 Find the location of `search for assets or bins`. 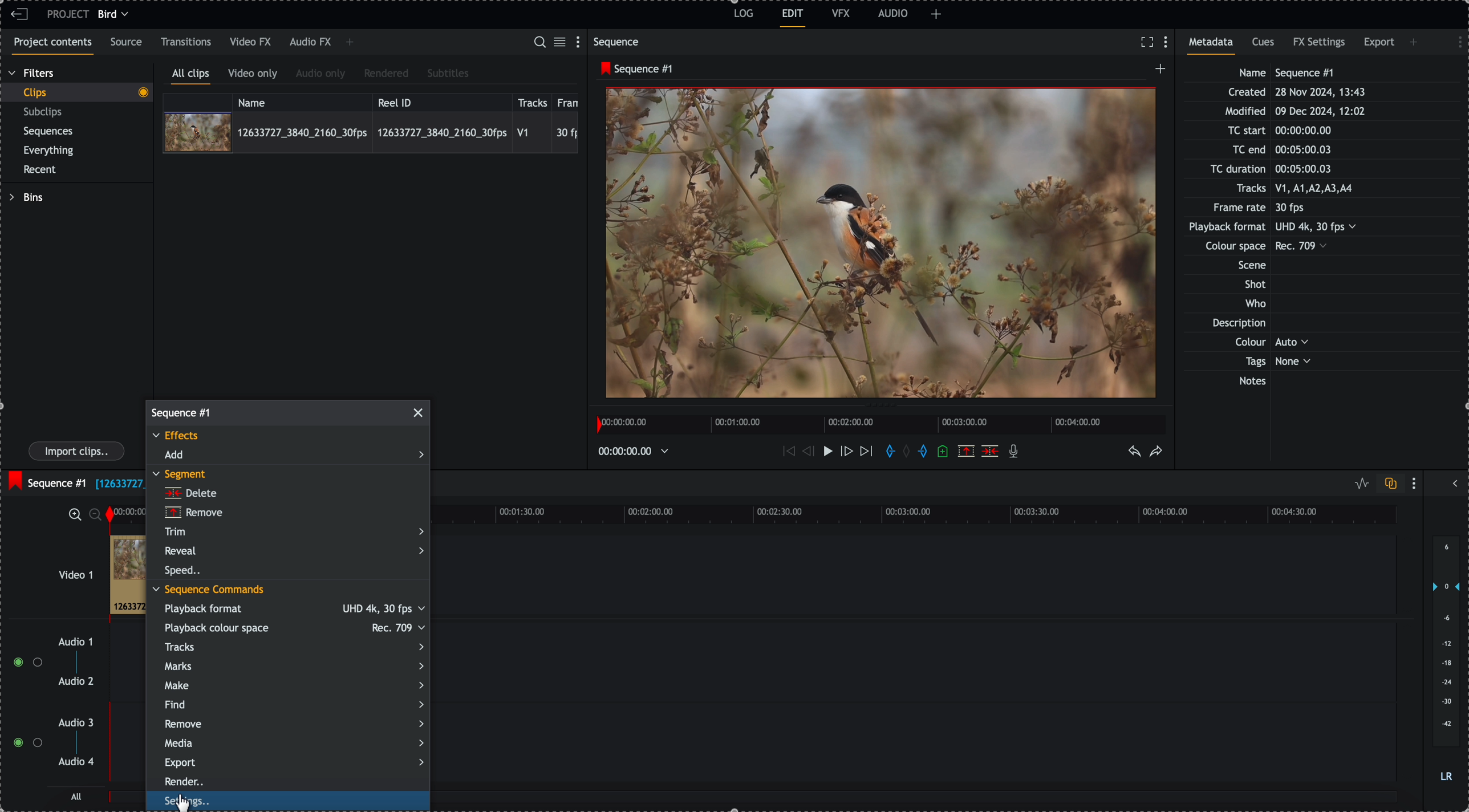

search for assets or bins is located at coordinates (539, 43).